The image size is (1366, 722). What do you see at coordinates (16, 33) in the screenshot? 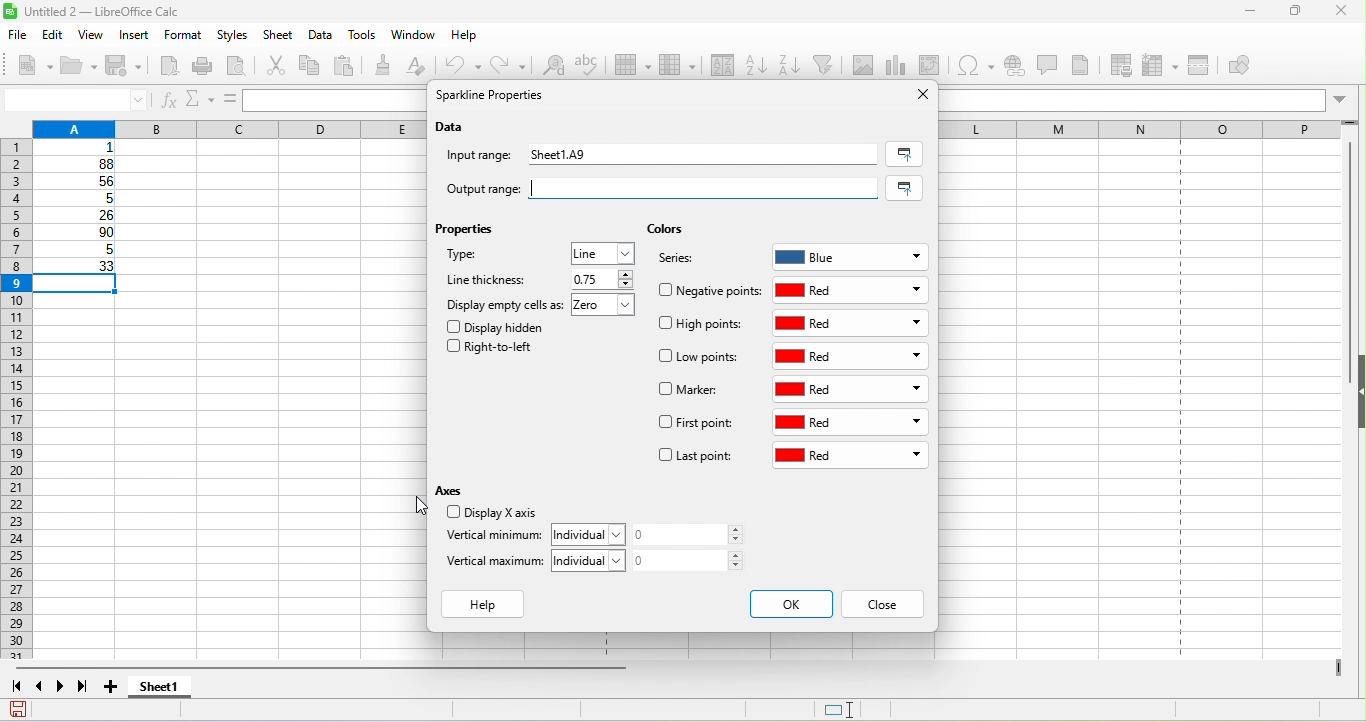
I see `file` at bounding box center [16, 33].